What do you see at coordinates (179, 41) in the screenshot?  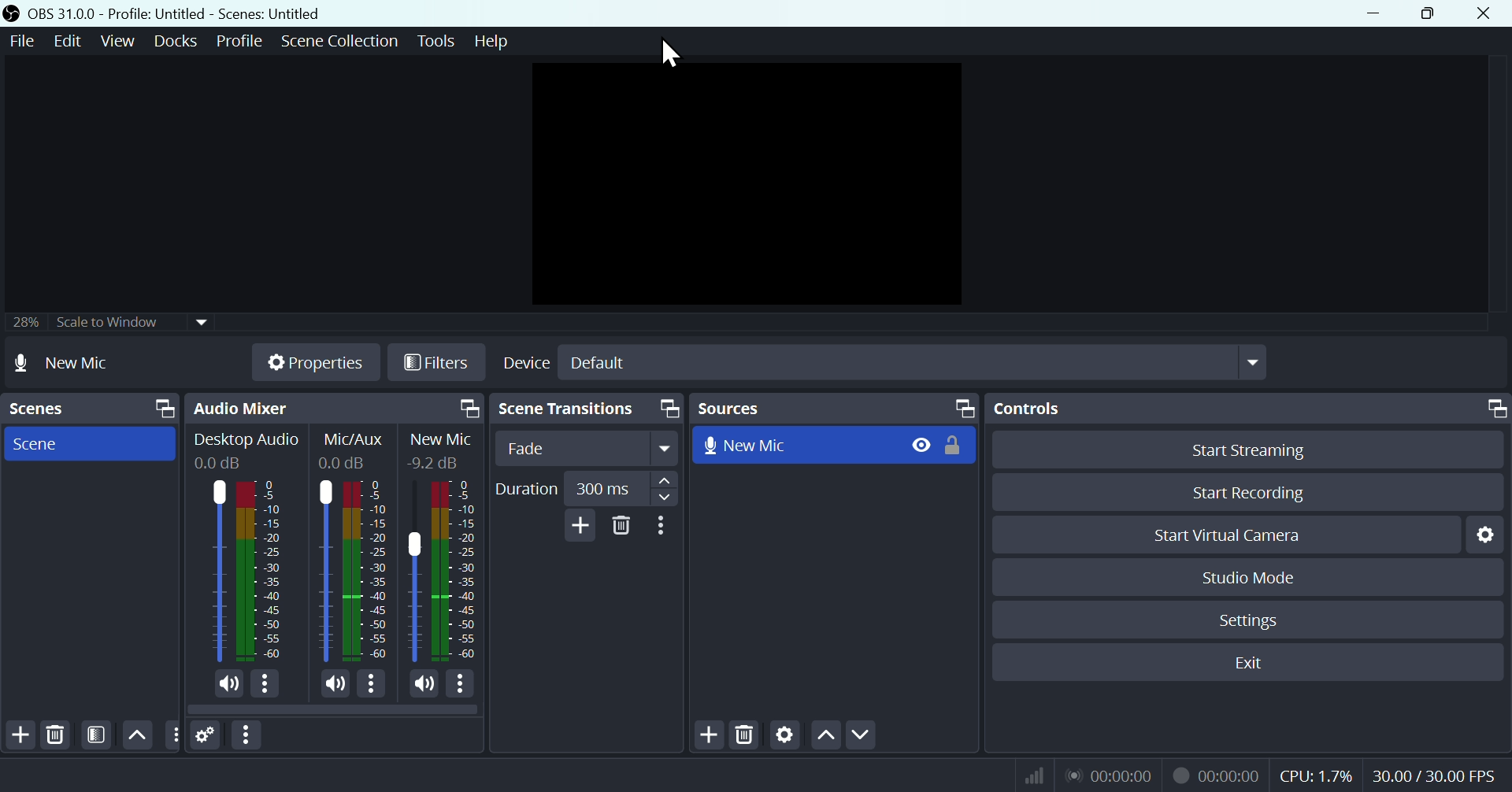 I see `Docks` at bounding box center [179, 41].